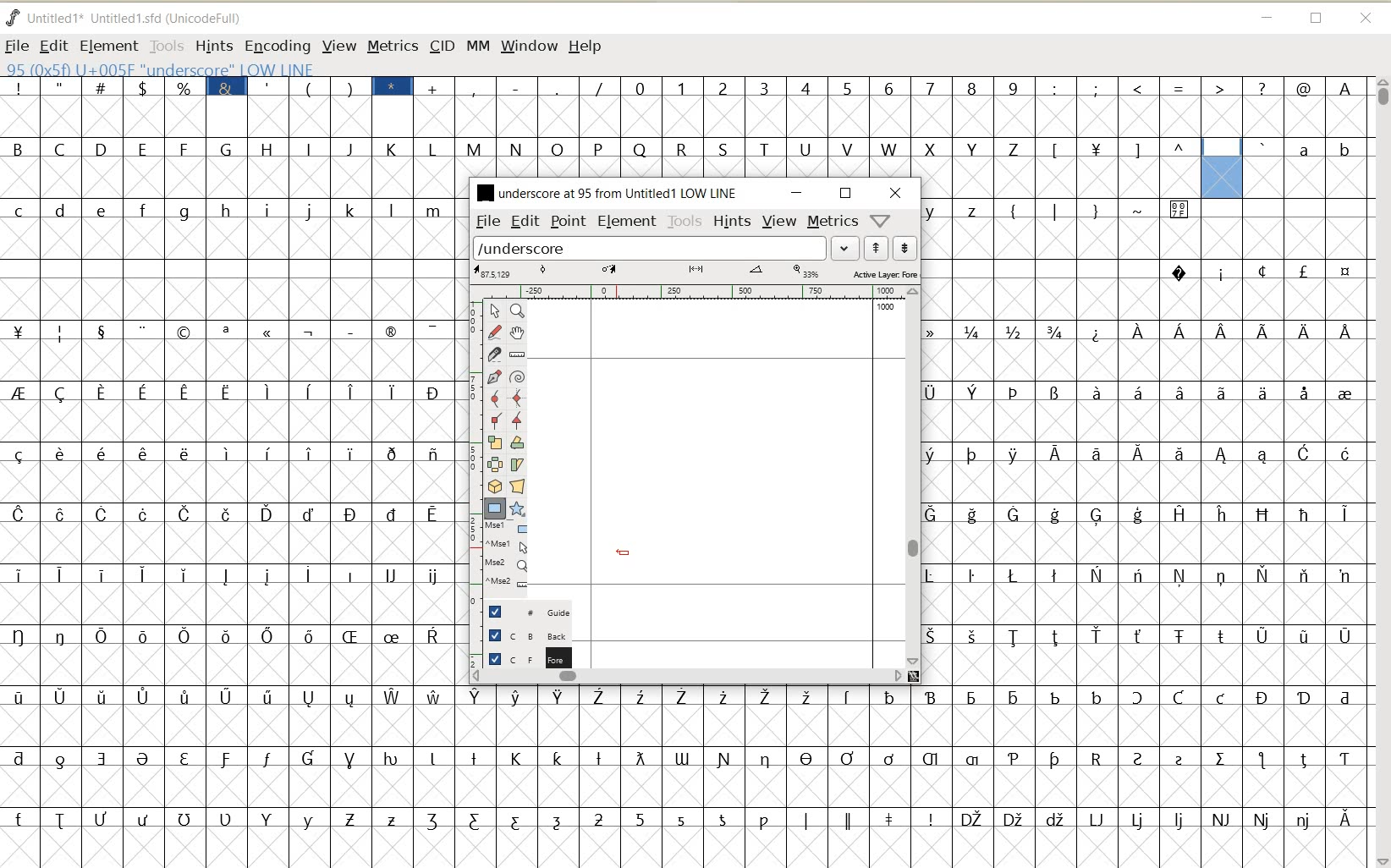 This screenshot has width=1391, height=868. Describe the element at coordinates (336, 45) in the screenshot. I see `VIEW` at that location.